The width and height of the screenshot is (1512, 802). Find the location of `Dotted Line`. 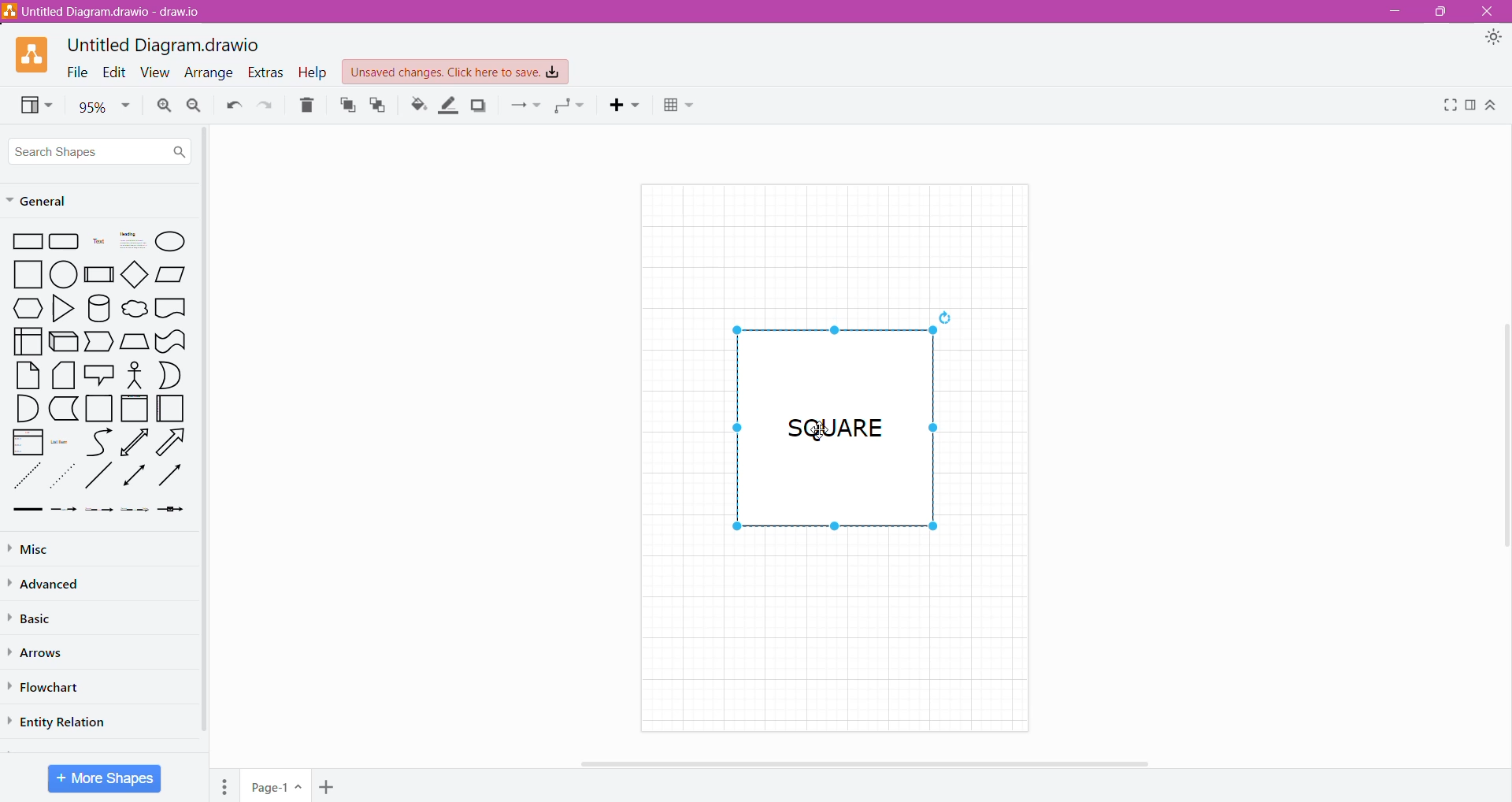

Dotted Line is located at coordinates (25, 477).